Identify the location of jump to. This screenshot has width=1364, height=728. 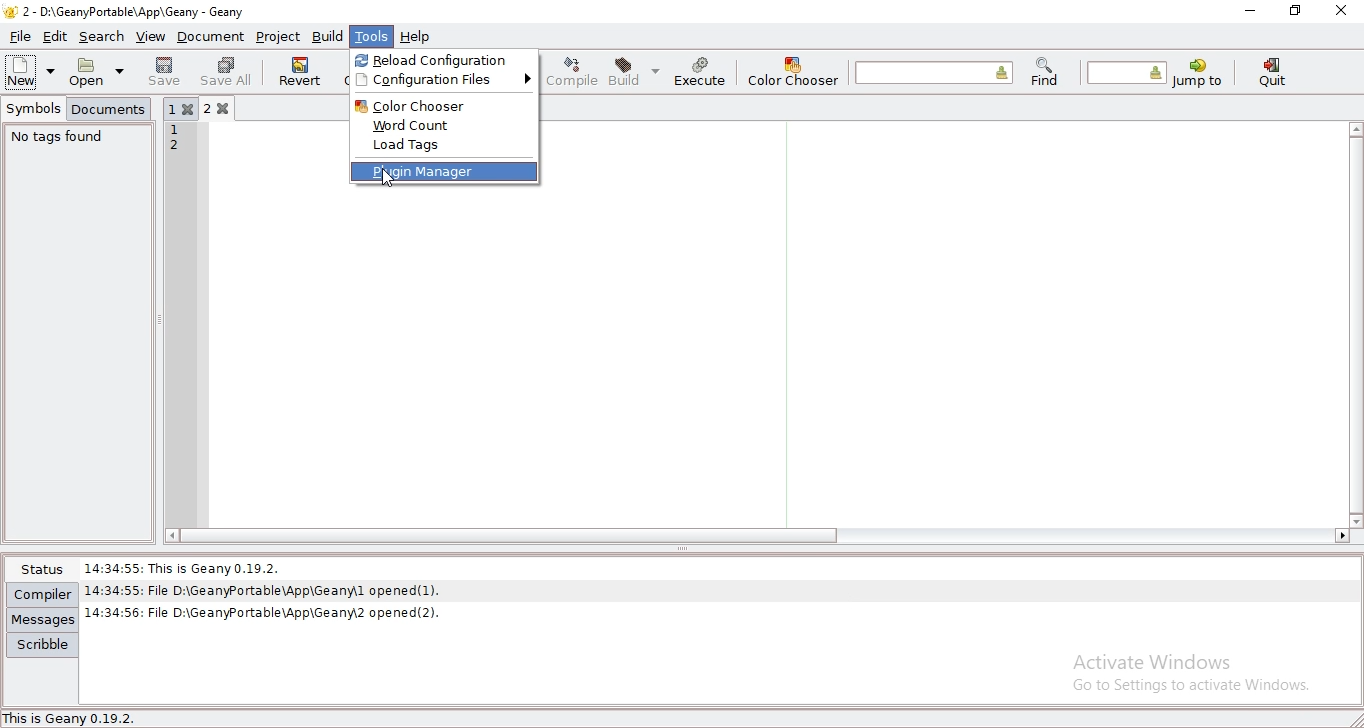
(1196, 74).